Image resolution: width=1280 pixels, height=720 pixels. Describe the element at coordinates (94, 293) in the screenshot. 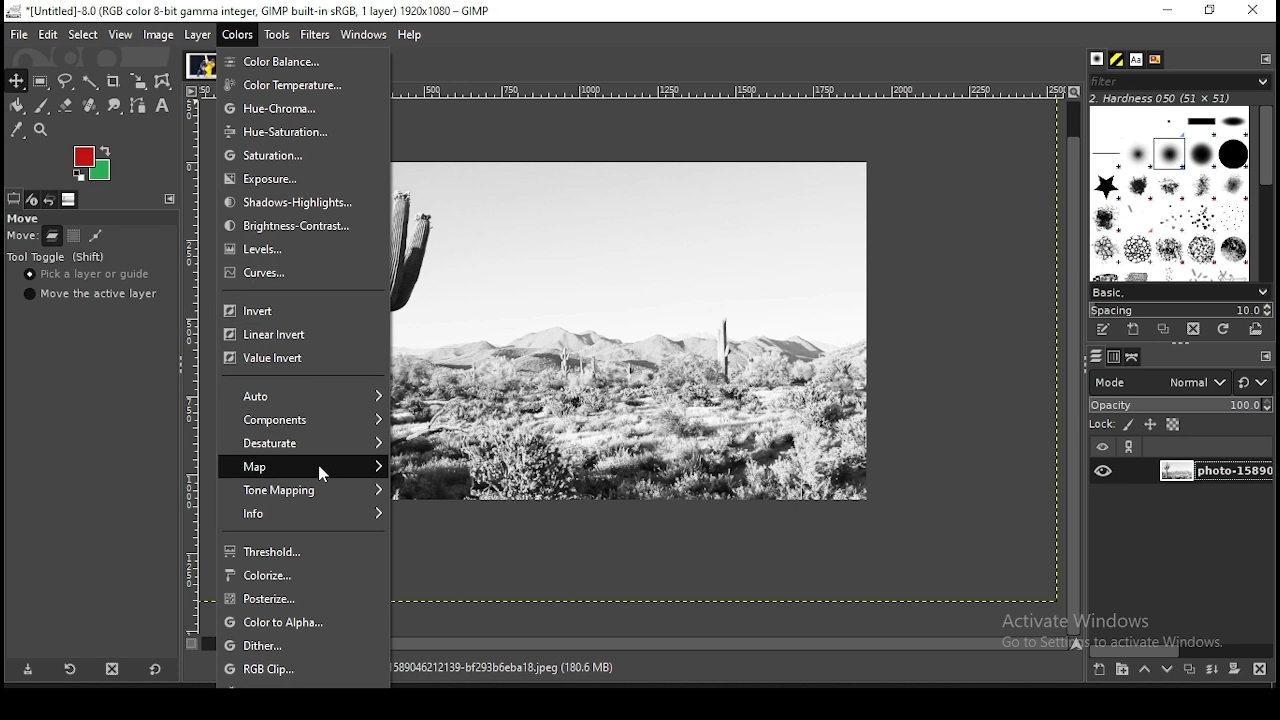

I see `move the active layer` at that location.